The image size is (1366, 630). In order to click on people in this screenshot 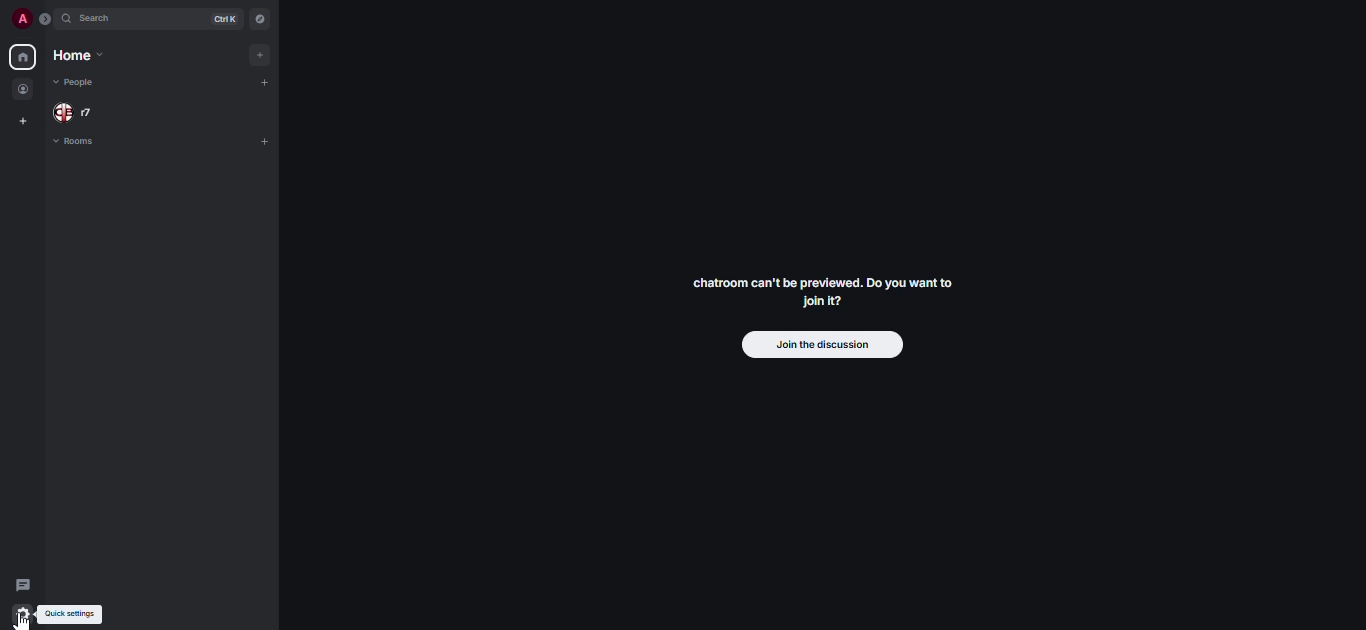, I will do `click(83, 84)`.